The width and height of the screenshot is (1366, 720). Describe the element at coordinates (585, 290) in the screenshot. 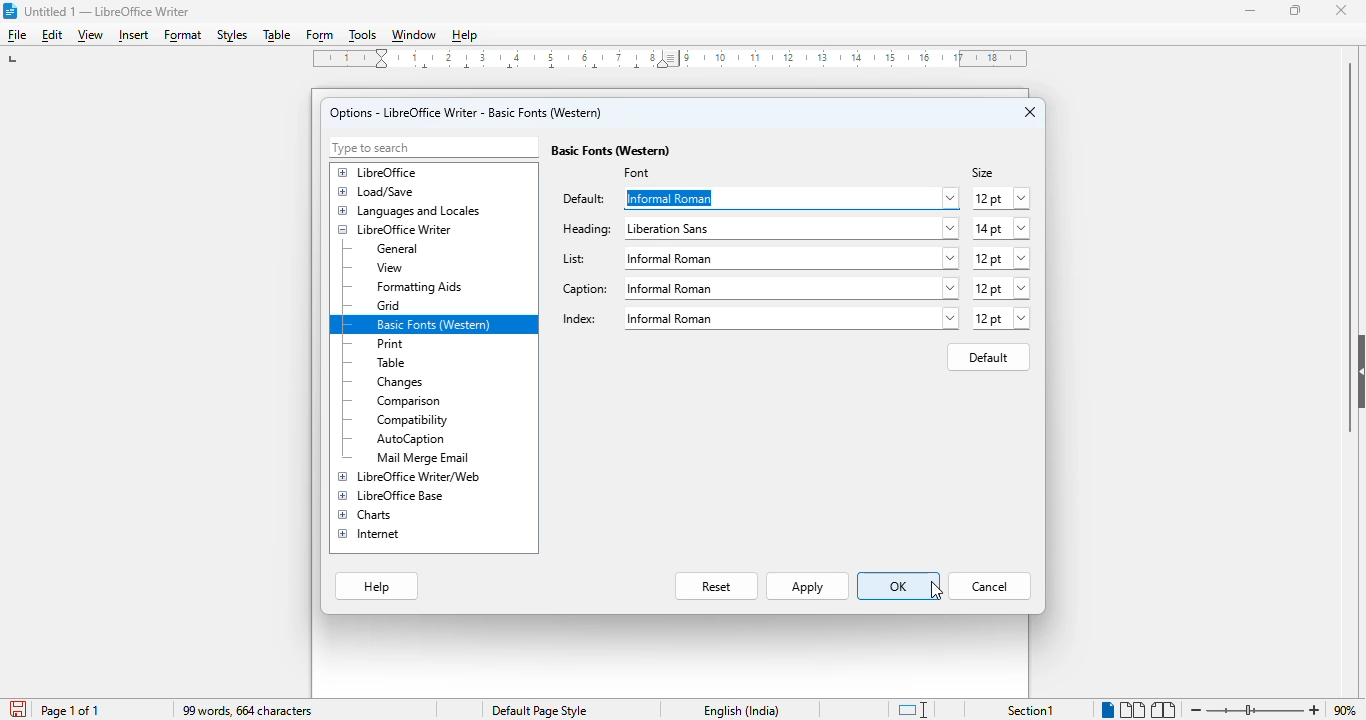

I see `caption: ` at that location.